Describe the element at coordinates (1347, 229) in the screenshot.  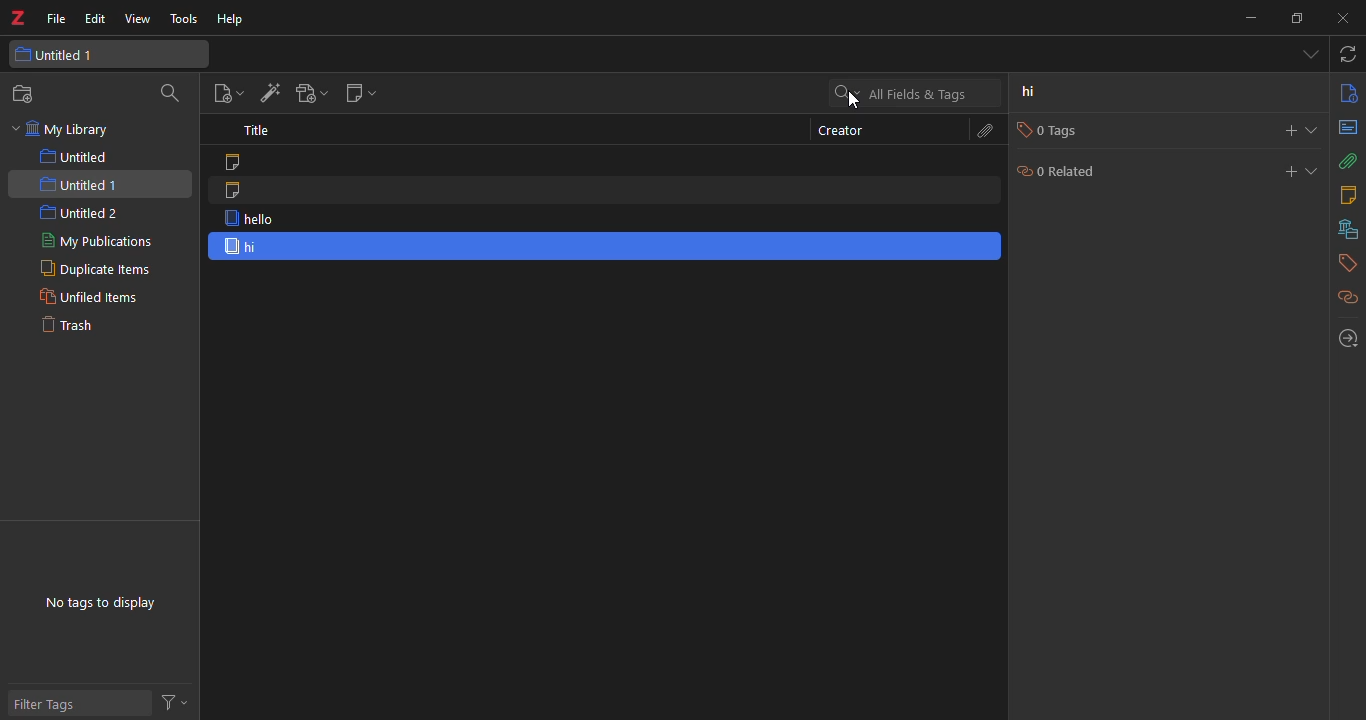
I see `library` at that location.